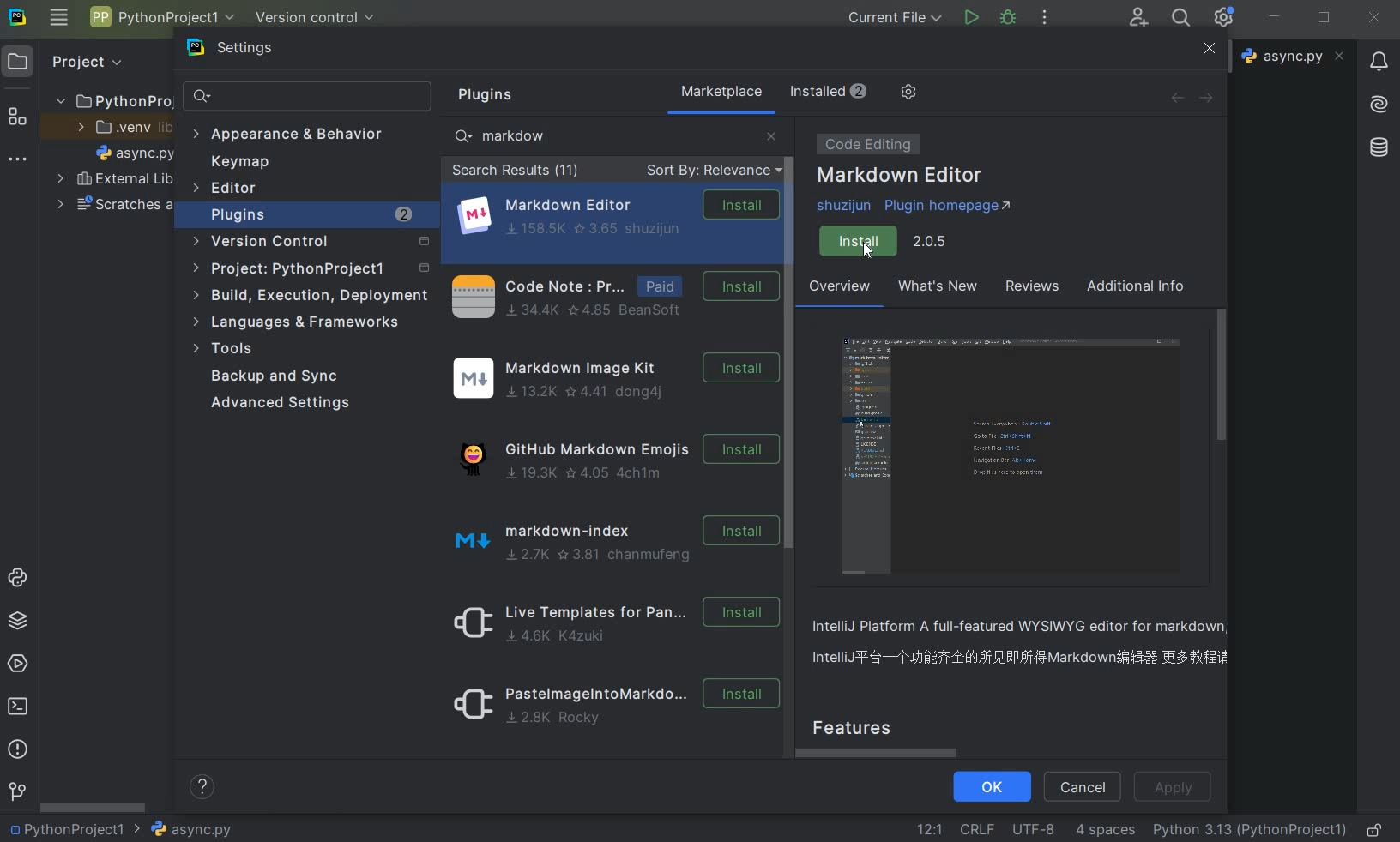 The height and width of the screenshot is (842, 1400). I want to click on scrollbar, so click(792, 338).